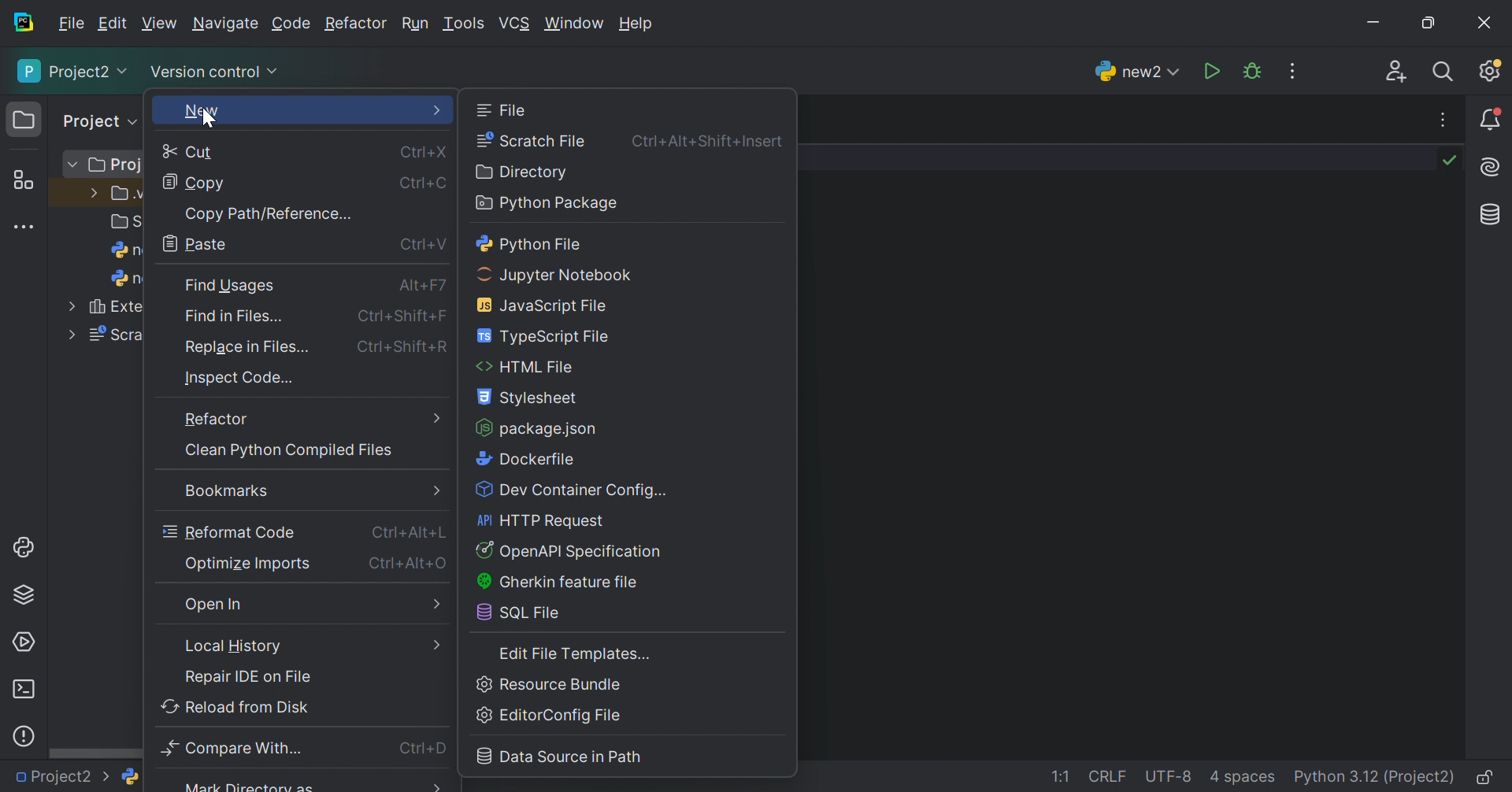 The height and width of the screenshot is (792, 1512). What do you see at coordinates (514, 23) in the screenshot?
I see `VCS` at bounding box center [514, 23].